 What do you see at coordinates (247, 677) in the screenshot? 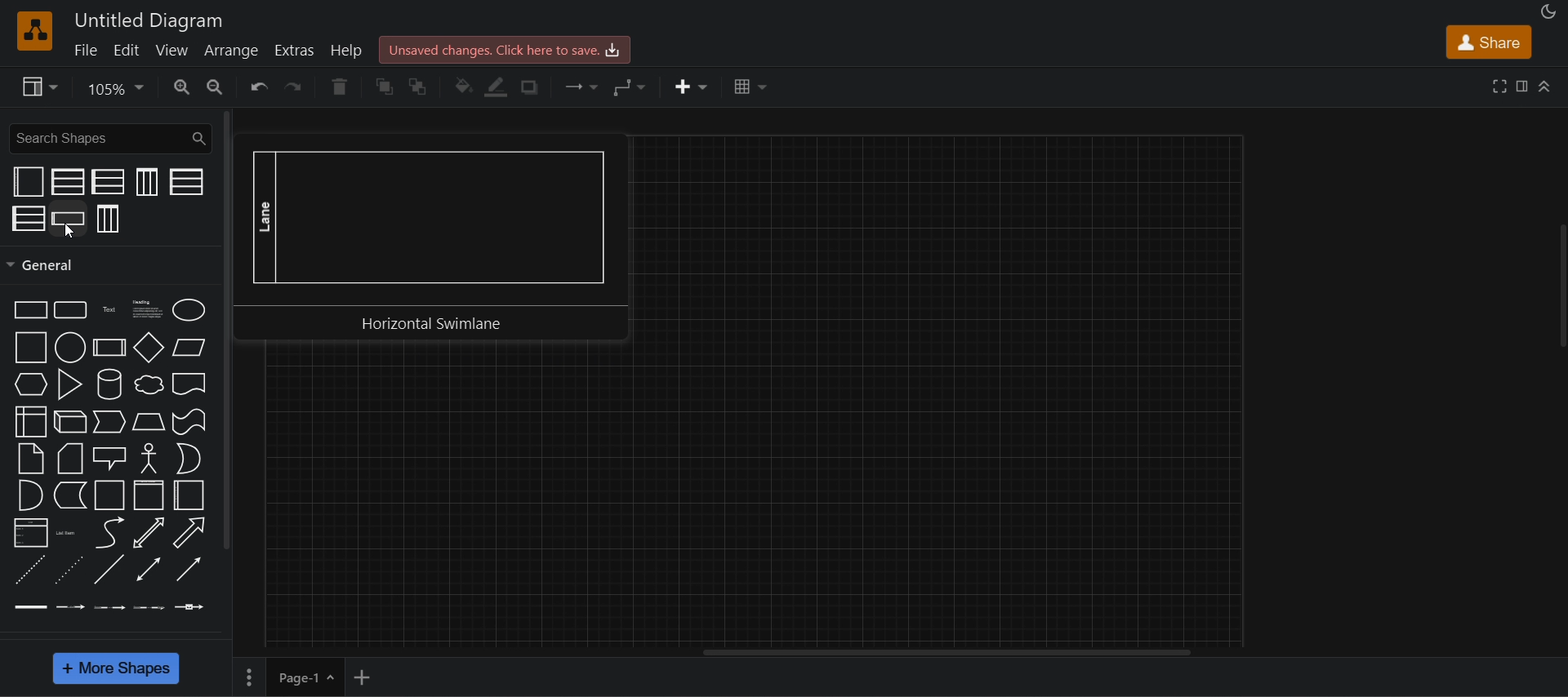
I see `options` at bounding box center [247, 677].